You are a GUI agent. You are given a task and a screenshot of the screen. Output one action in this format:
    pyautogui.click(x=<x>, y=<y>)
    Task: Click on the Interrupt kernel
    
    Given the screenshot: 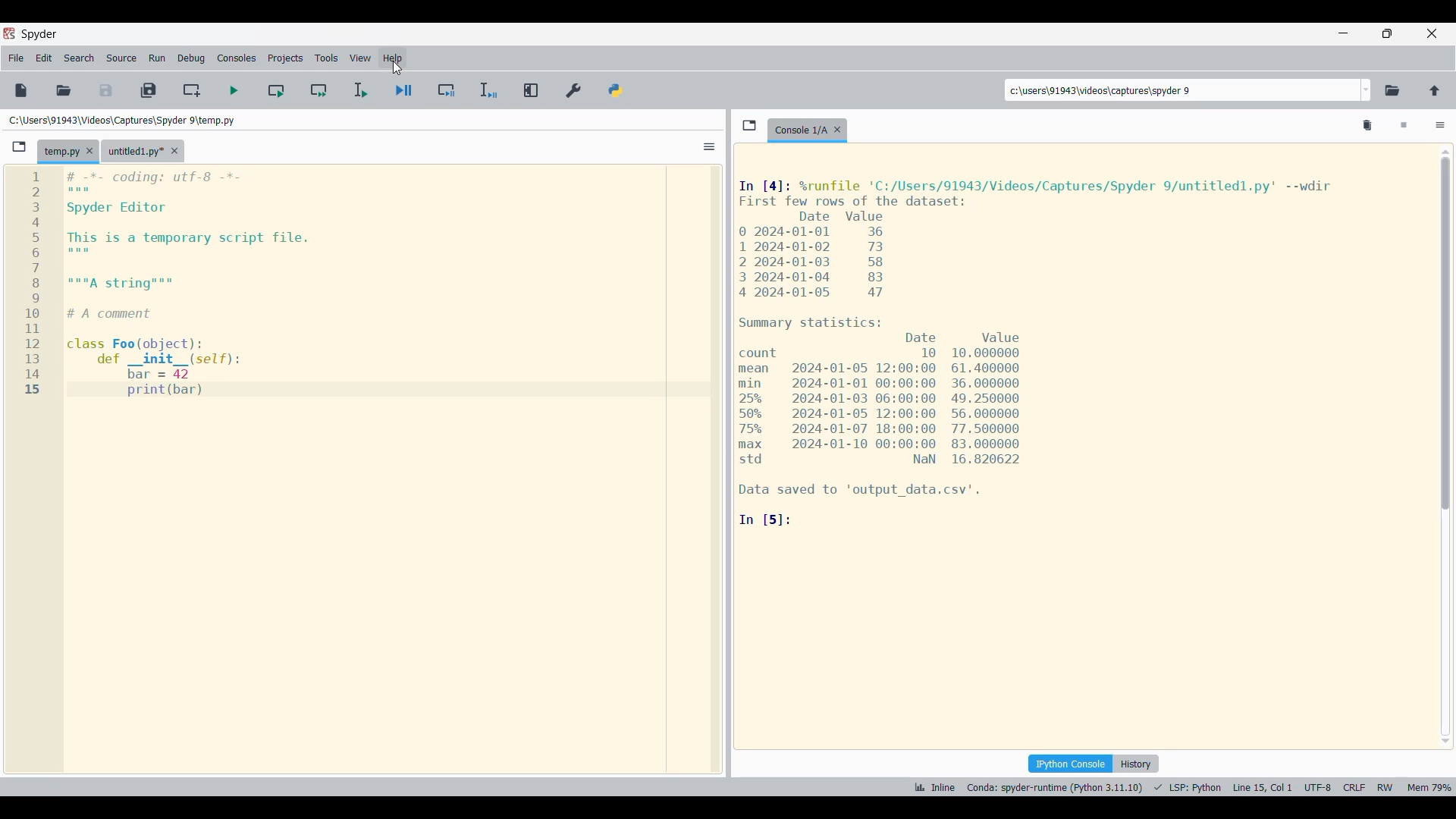 What is the action you would take?
    pyautogui.click(x=1404, y=126)
    